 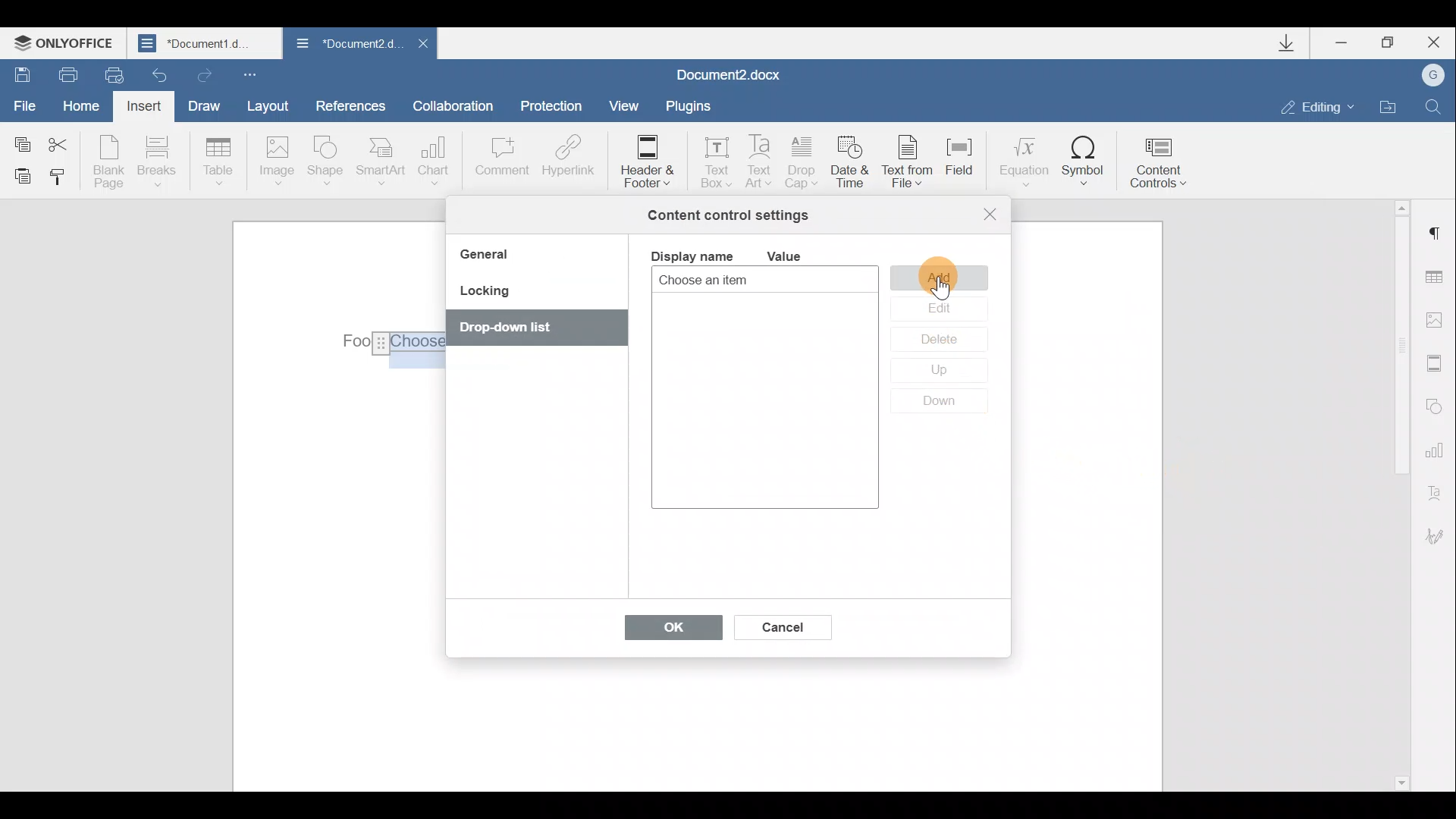 I want to click on Cut, so click(x=67, y=142).